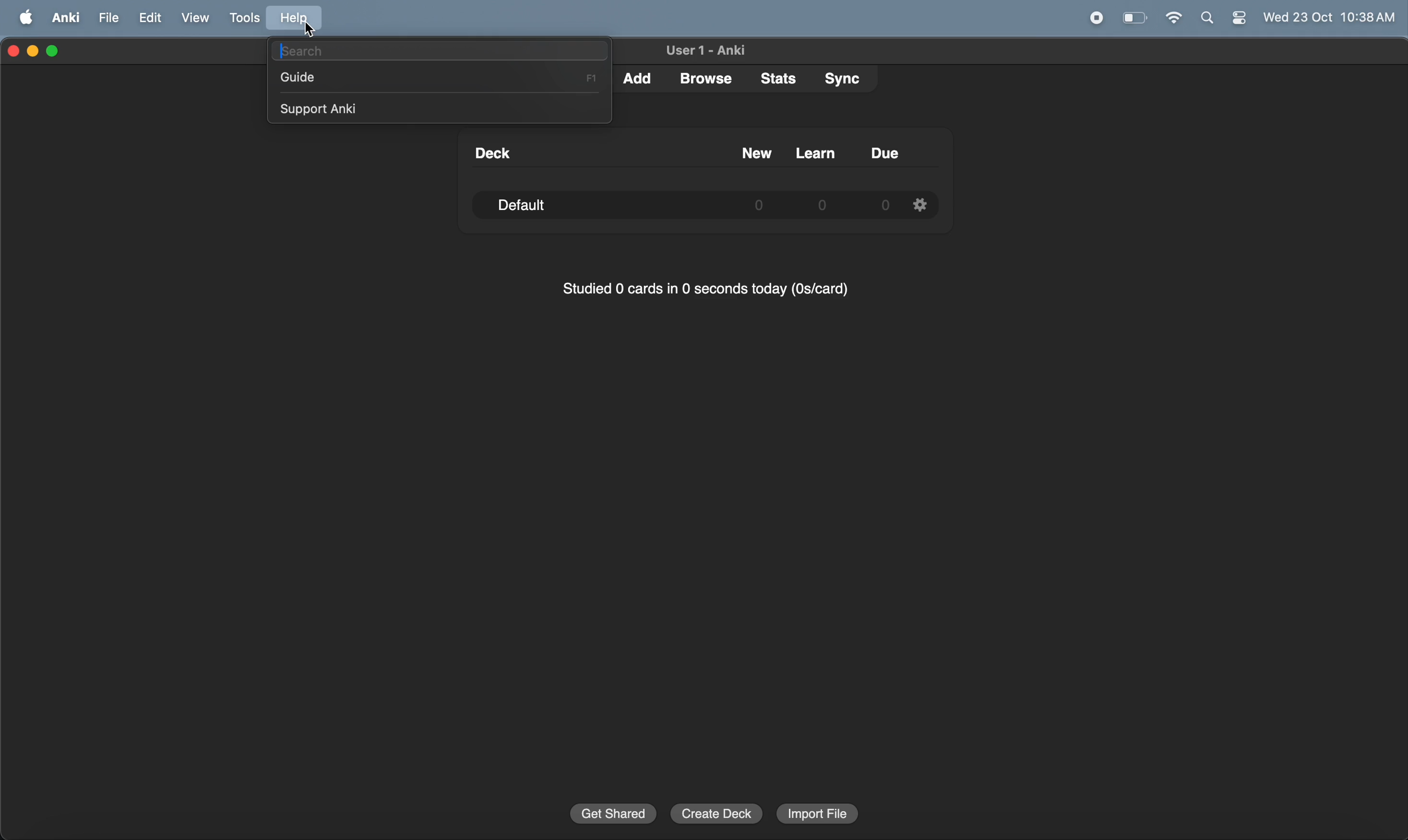 This screenshot has height=840, width=1408. I want to click on default, so click(535, 205).